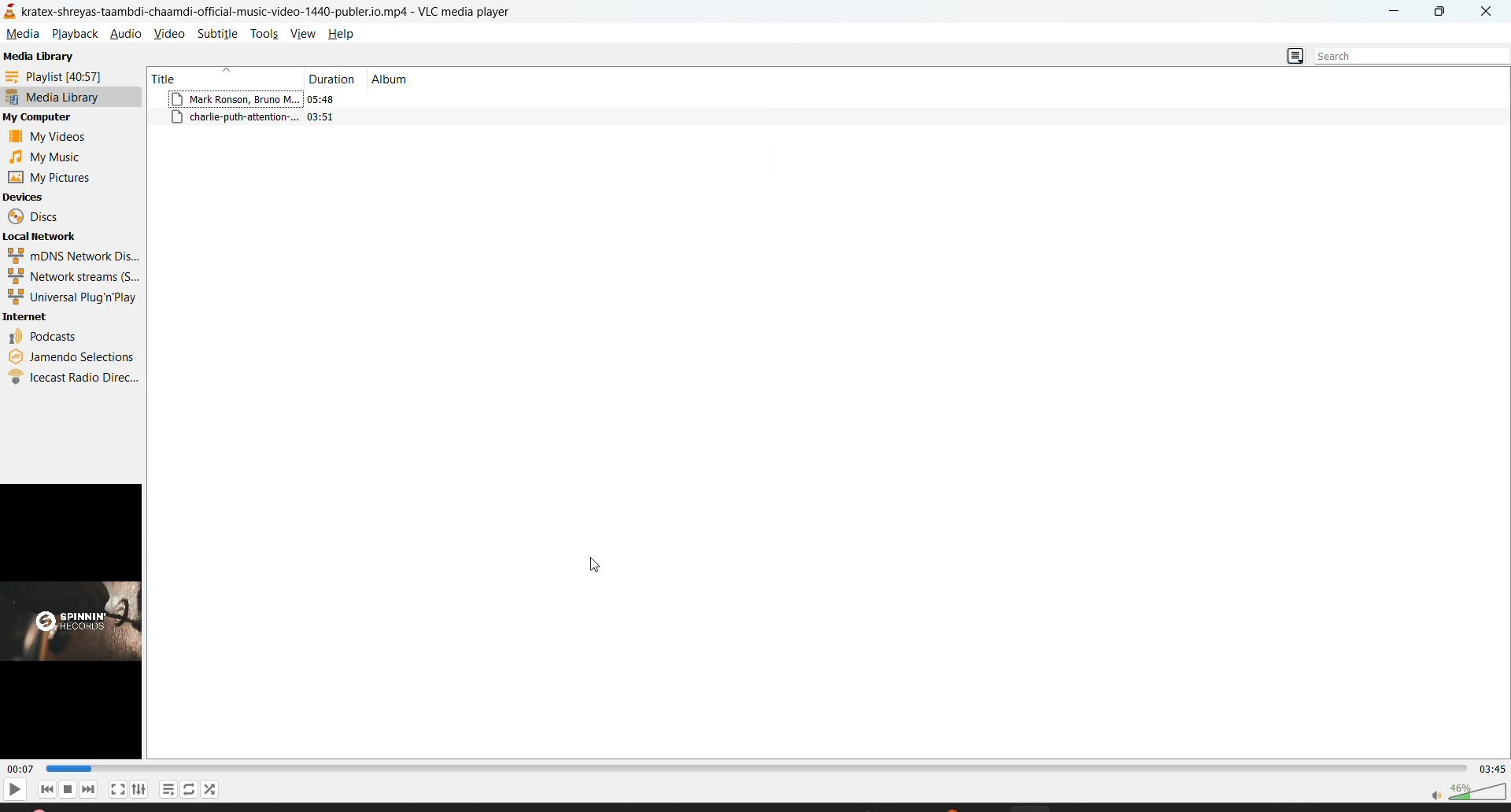 This screenshot has width=1511, height=812. Describe the element at coordinates (70, 359) in the screenshot. I see `jamendo selections` at that location.